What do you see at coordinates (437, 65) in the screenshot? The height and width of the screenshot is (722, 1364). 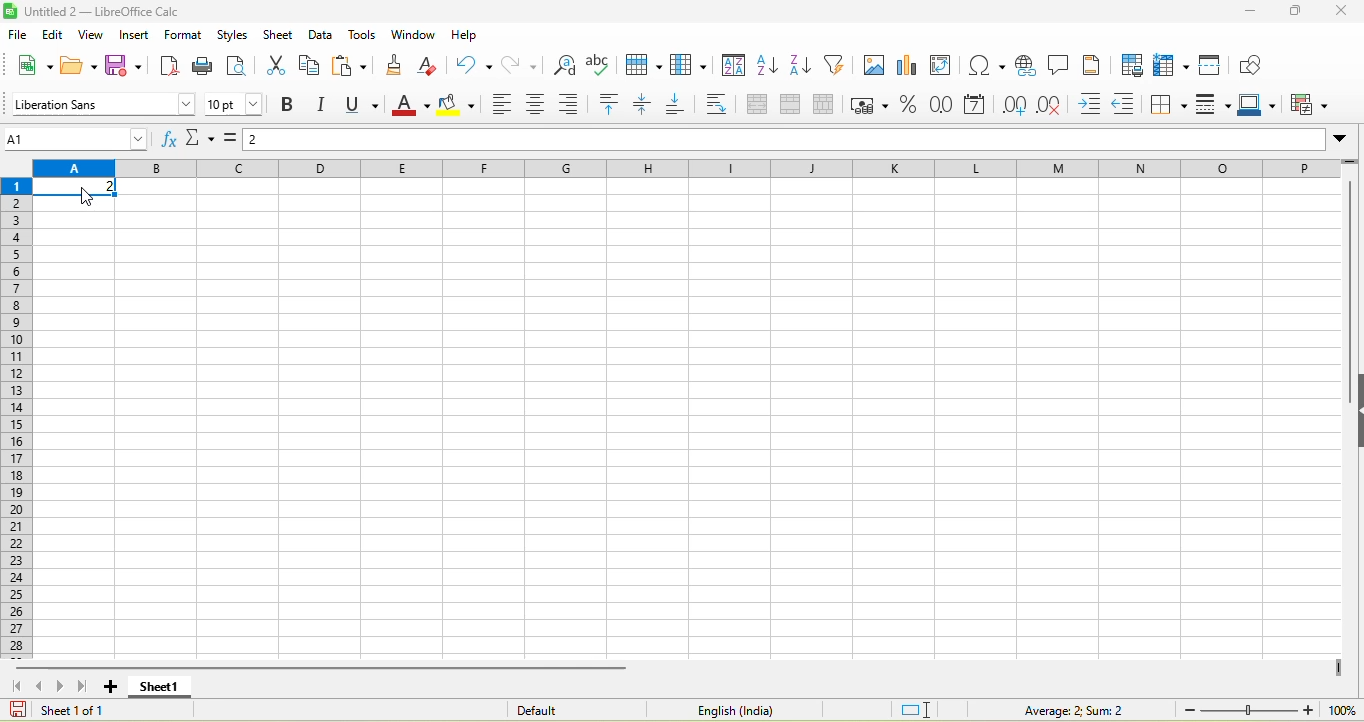 I see `clear directly formatting` at bounding box center [437, 65].